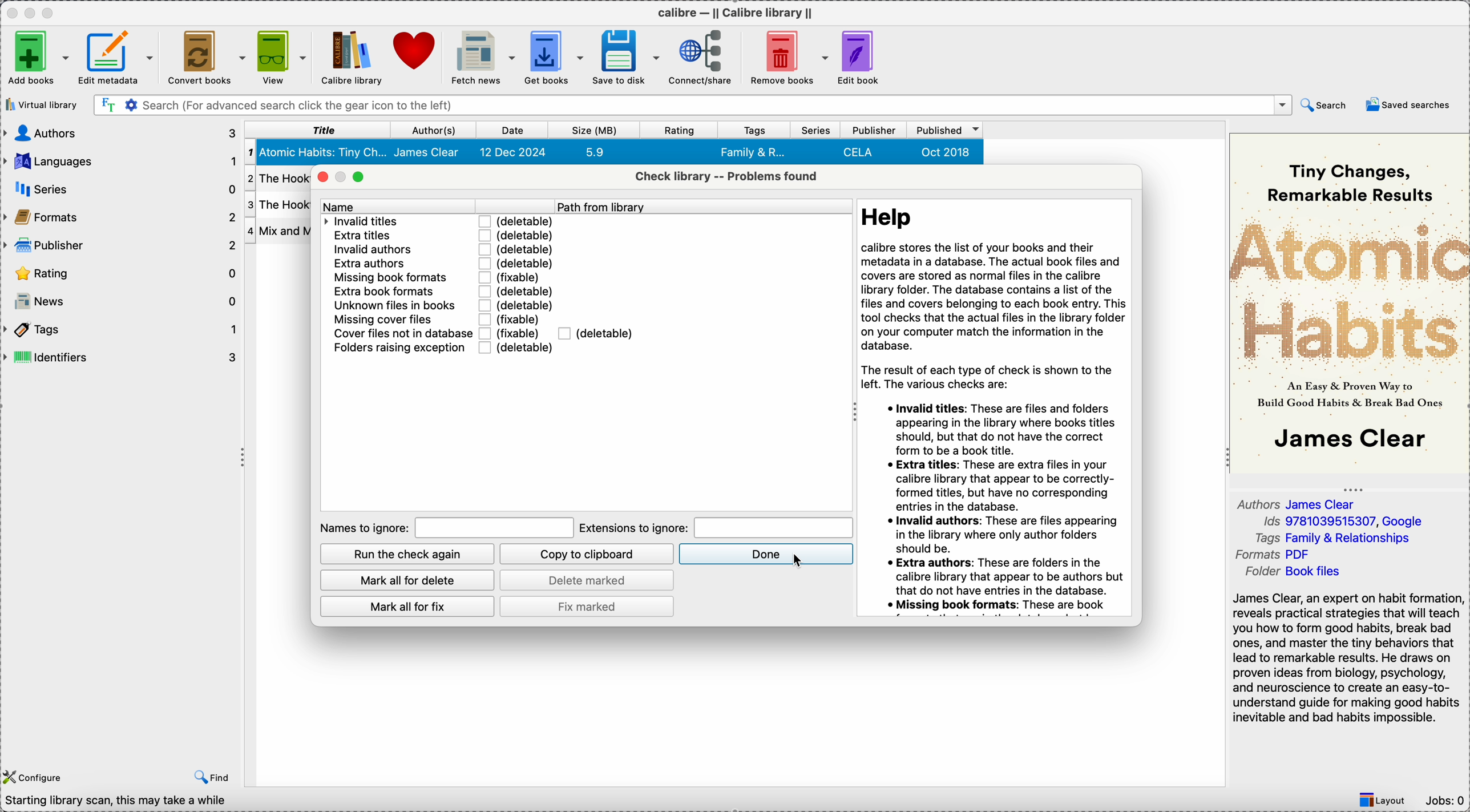  I want to click on fixable, so click(516, 318).